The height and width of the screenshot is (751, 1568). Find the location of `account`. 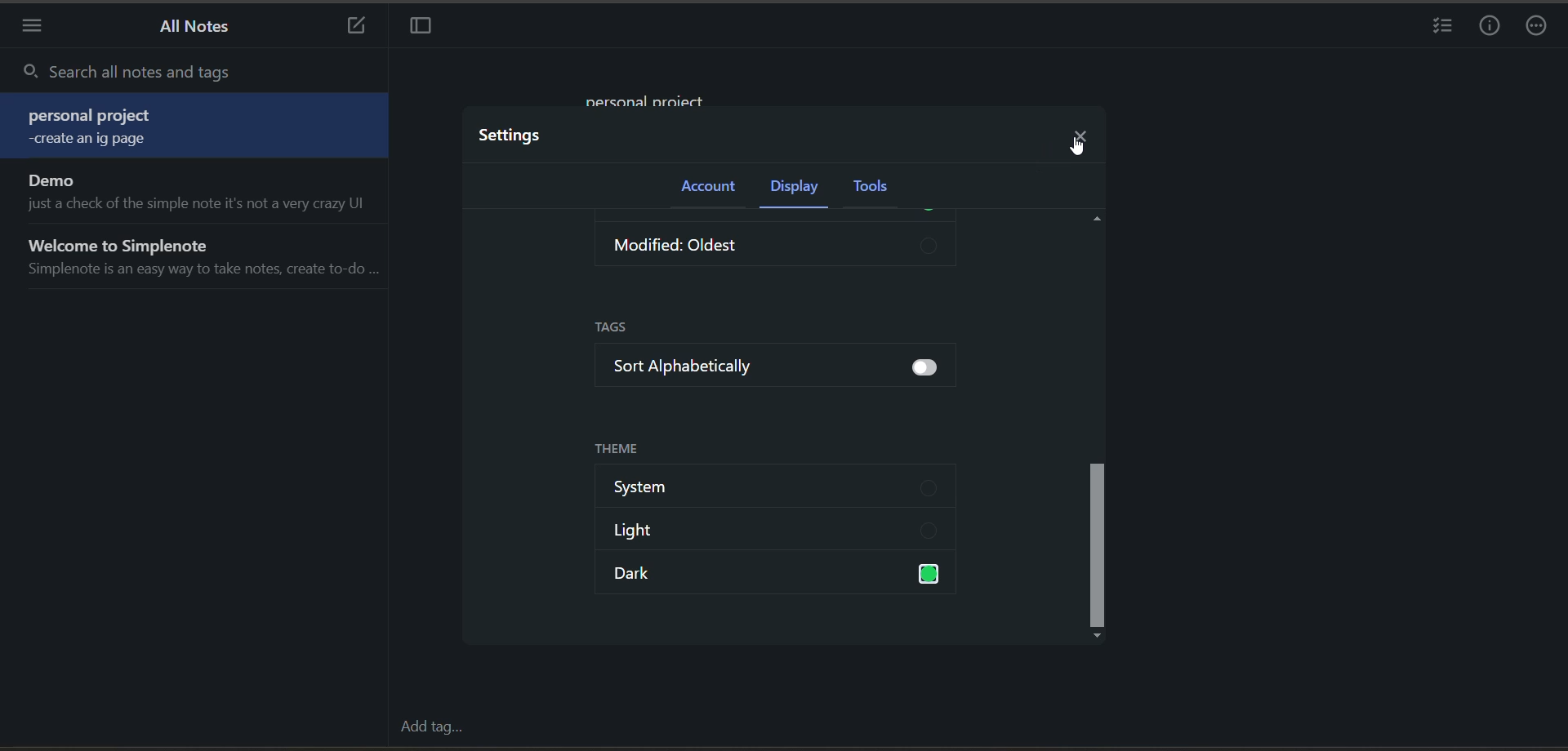

account is located at coordinates (706, 187).